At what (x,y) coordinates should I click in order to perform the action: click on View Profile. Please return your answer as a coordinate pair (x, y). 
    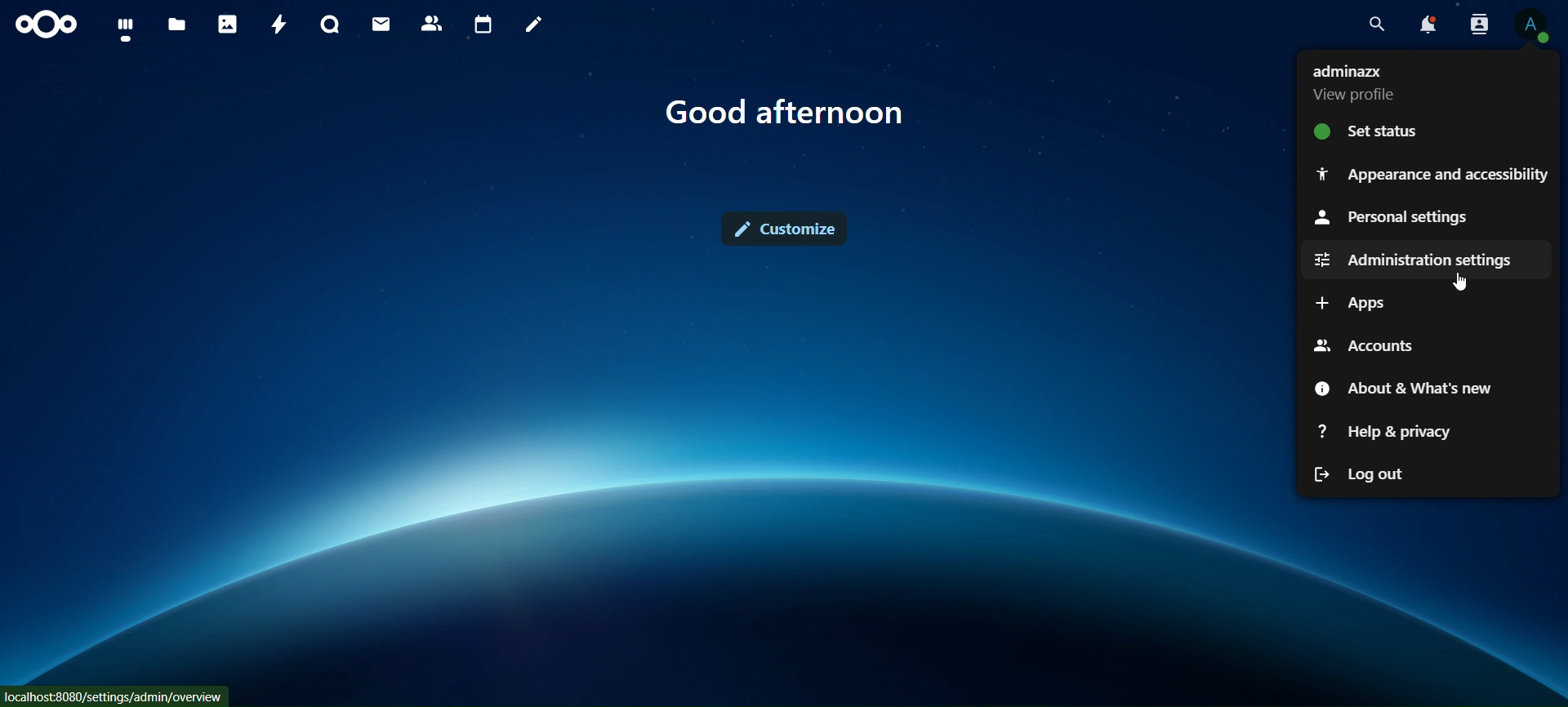
    Looking at the image, I should click on (1532, 27).